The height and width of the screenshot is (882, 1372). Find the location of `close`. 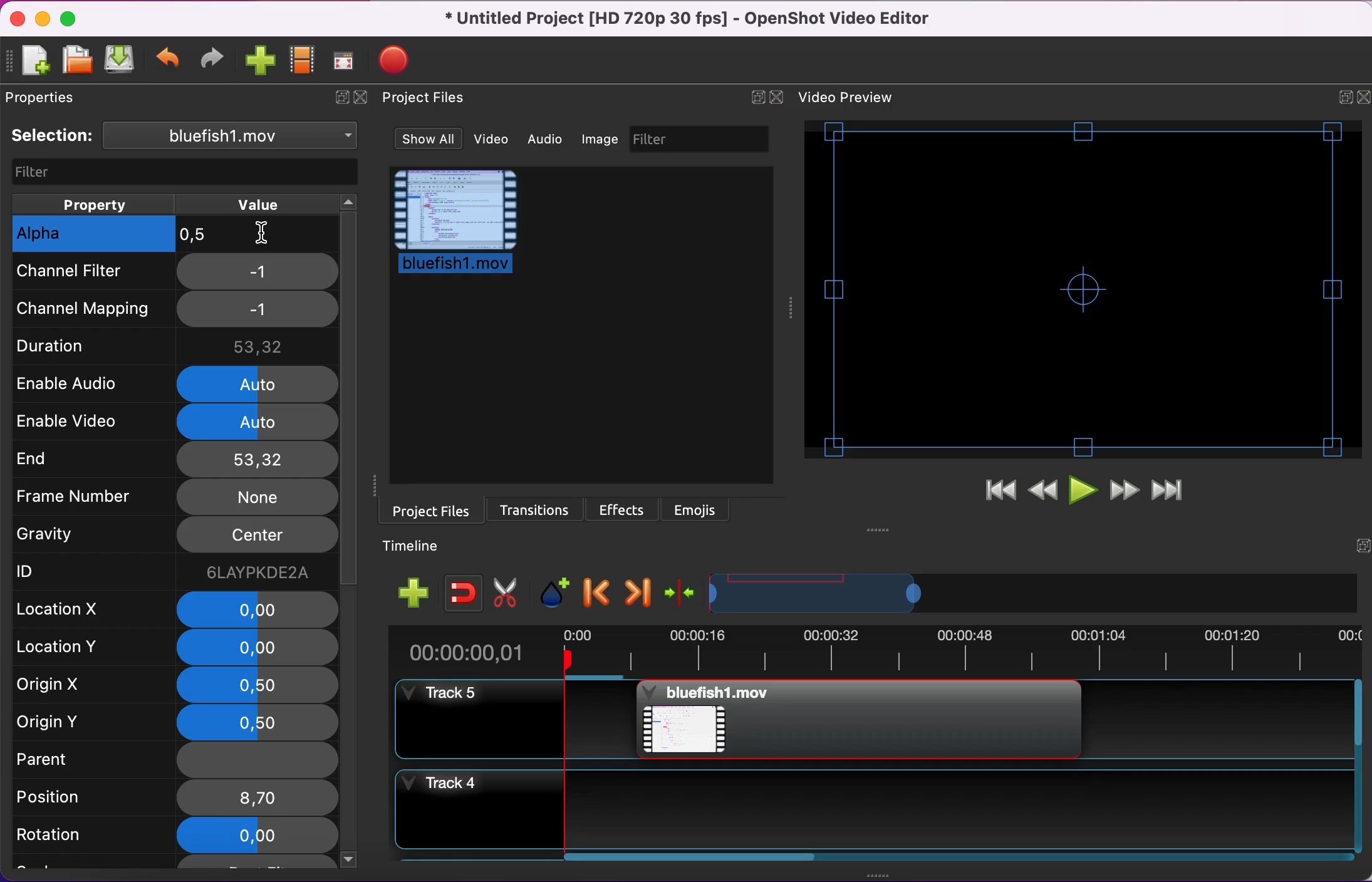

close is located at coordinates (17, 19).